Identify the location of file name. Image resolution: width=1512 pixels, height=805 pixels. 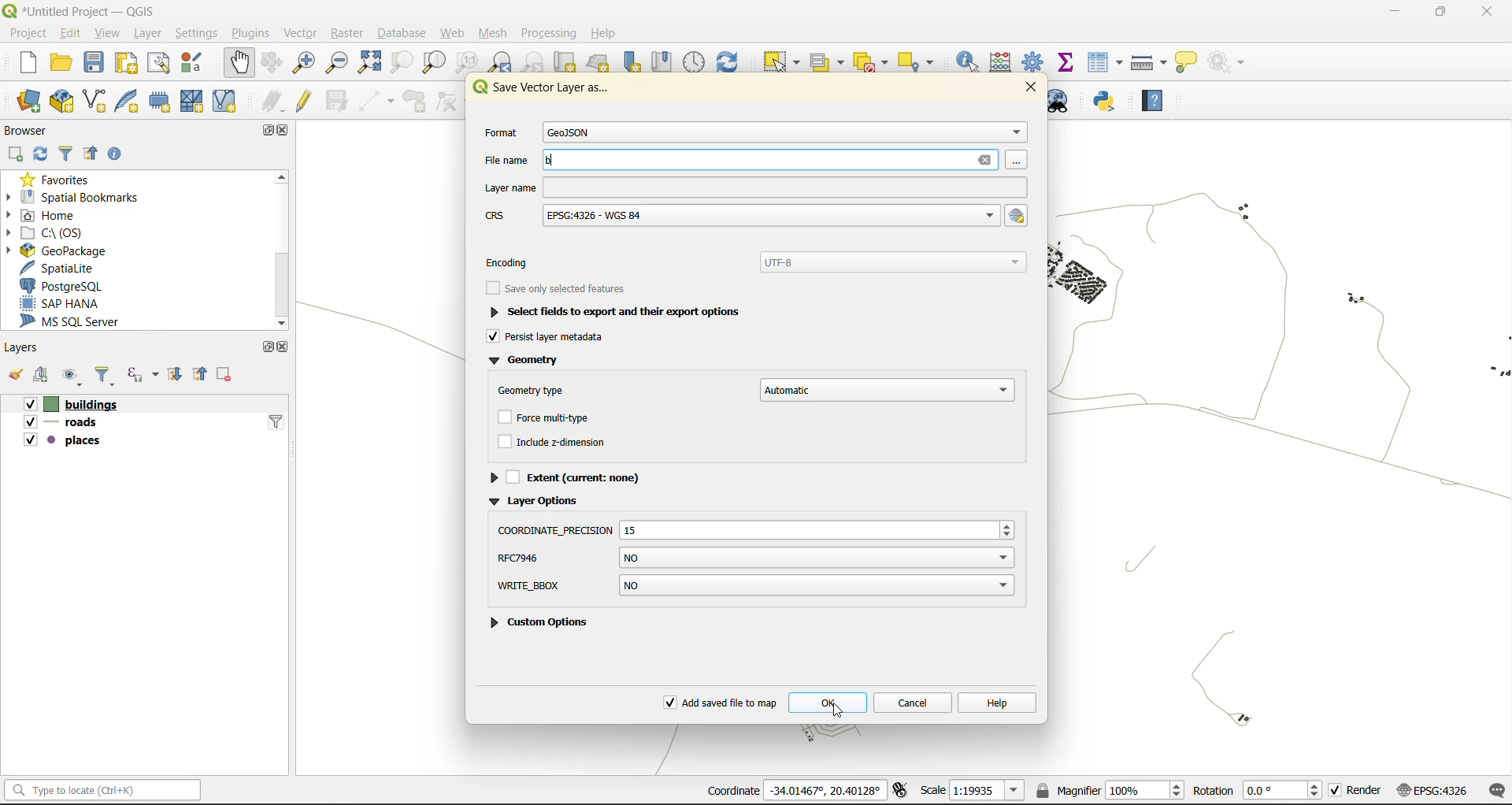
(752, 162).